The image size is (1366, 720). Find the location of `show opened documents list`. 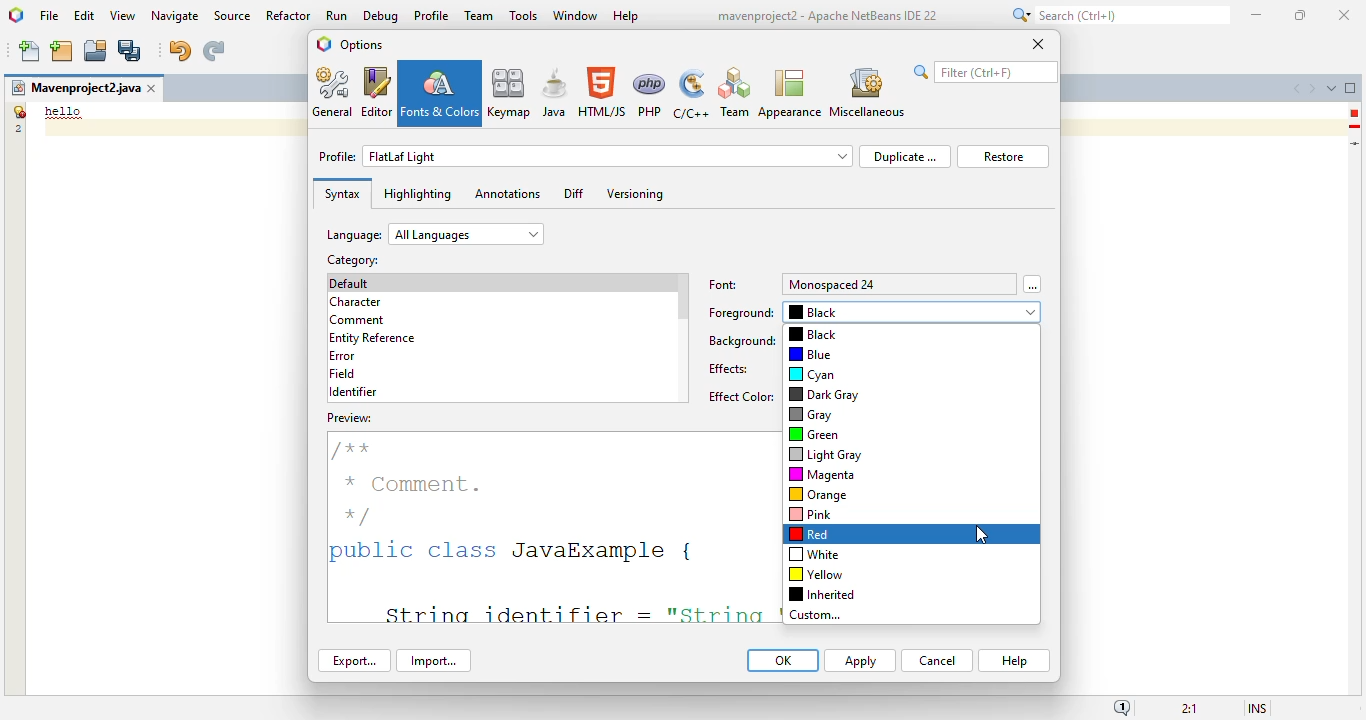

show opened documents list is located at coordinates (1331, 88).